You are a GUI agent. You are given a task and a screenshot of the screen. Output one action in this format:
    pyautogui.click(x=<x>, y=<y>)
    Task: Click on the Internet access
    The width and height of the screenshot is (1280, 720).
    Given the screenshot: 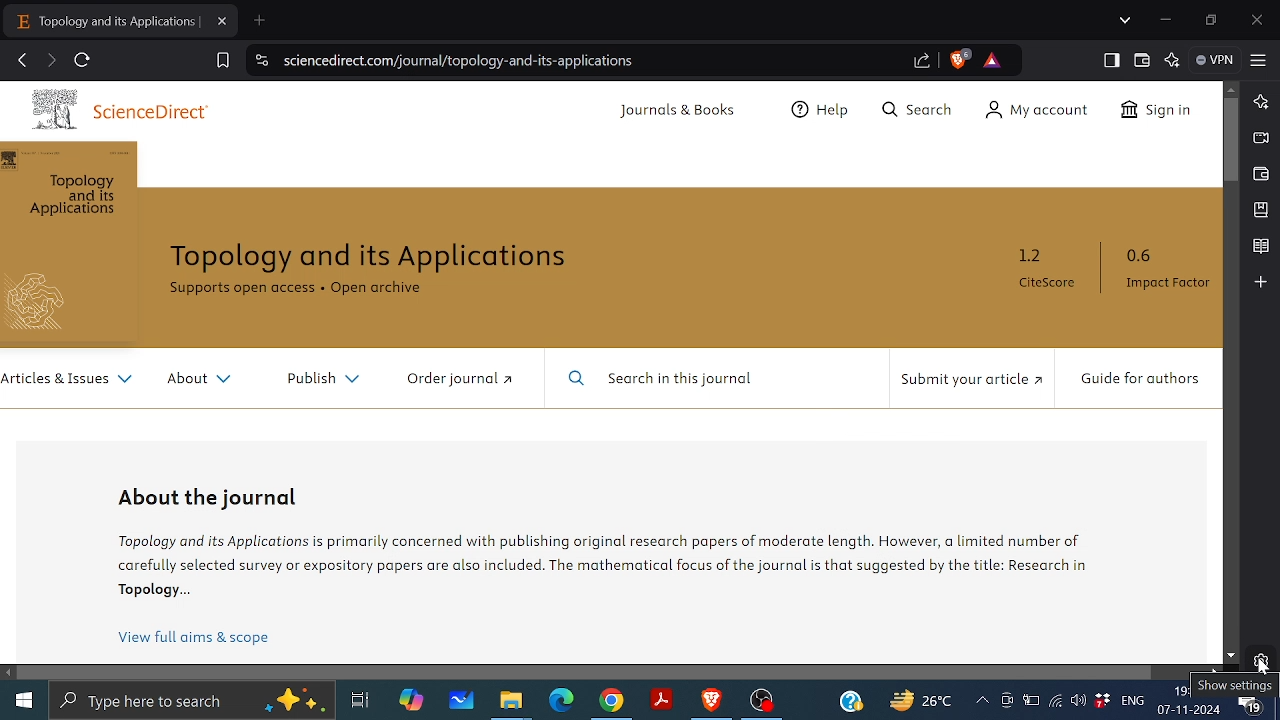 What is the action you would take?
    pyautogui.click(x=1056, y=703)
    